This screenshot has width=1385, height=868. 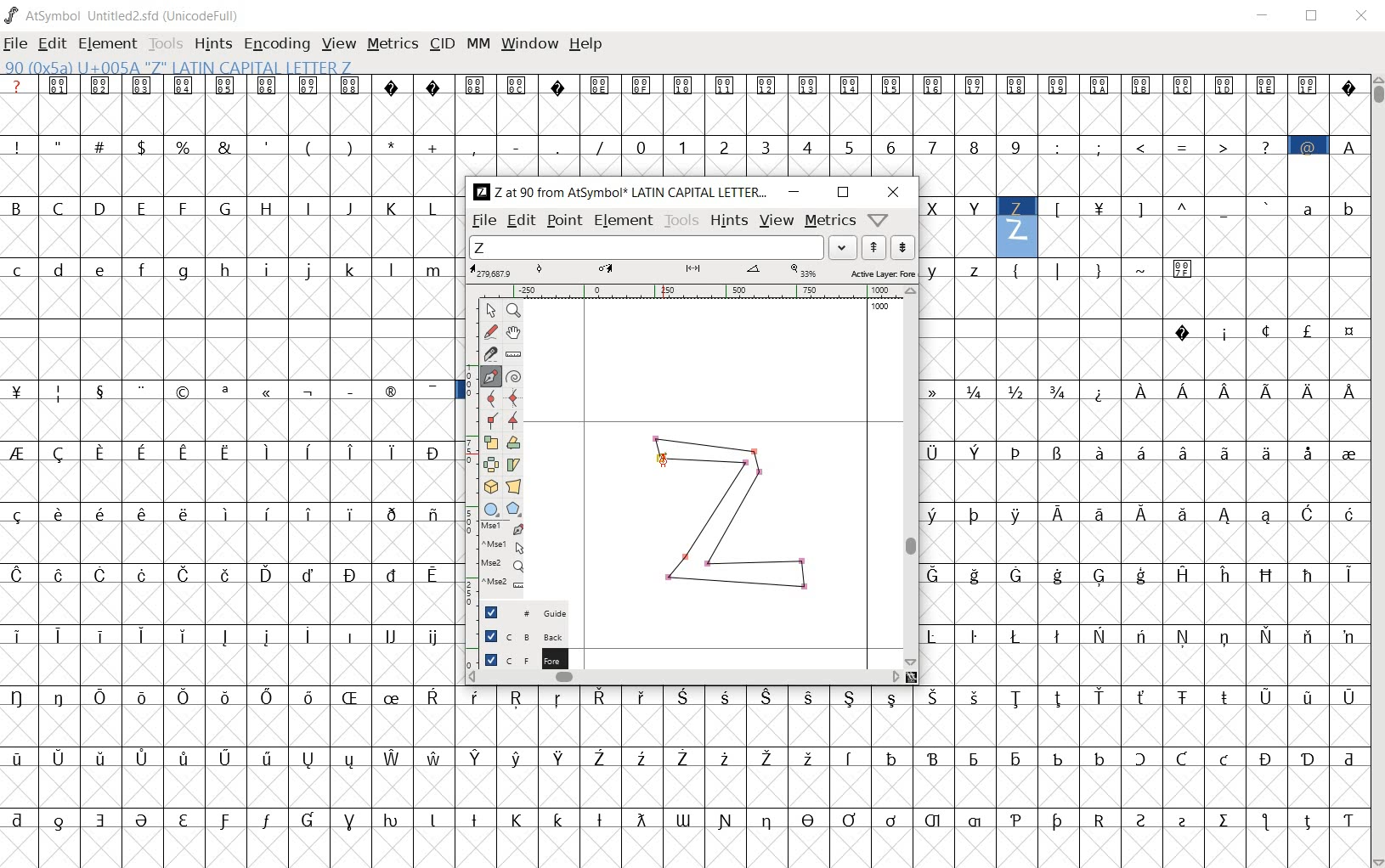 I want to click on Z at 90 from AtSymbol* LATIN CAPITAL LETTER..., so click(x=619, y=193).